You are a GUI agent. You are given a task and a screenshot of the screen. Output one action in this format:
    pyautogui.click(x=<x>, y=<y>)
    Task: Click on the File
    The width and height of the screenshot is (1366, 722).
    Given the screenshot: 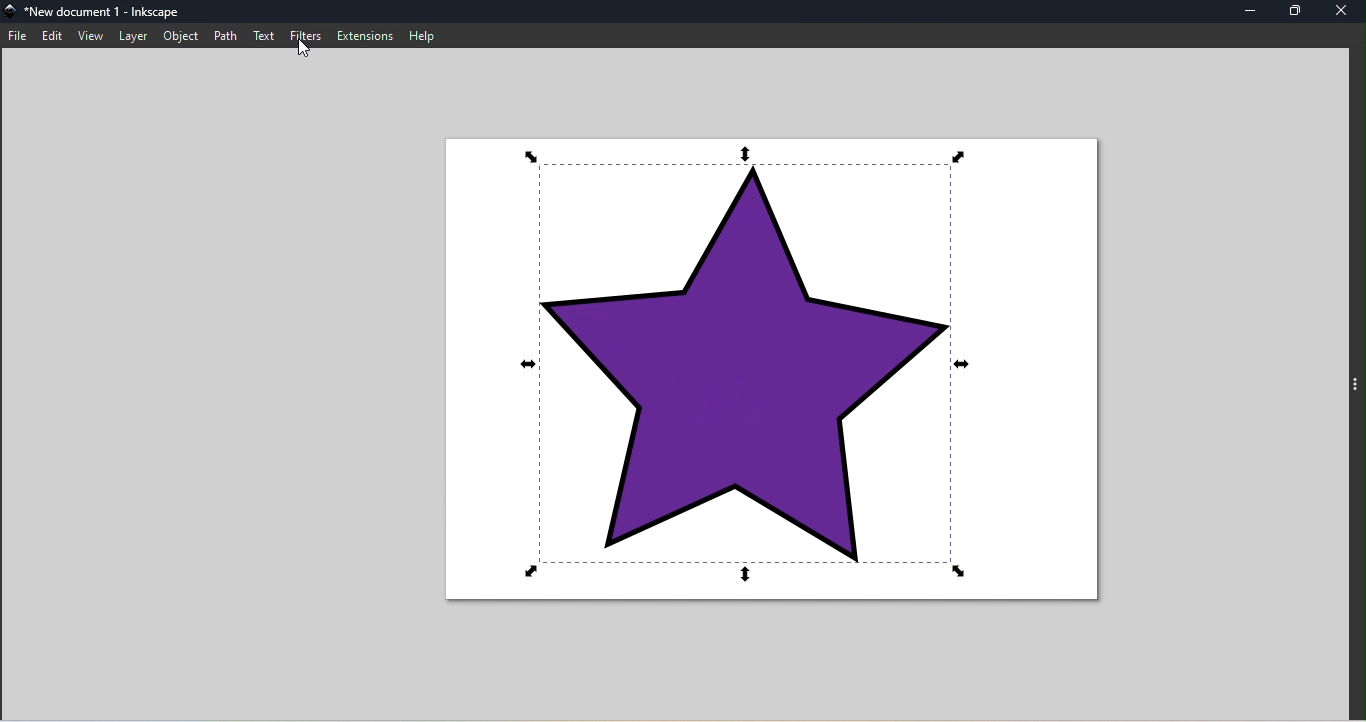 What is the action you would take?
    pyautogui.click(x=18, y=38)
    